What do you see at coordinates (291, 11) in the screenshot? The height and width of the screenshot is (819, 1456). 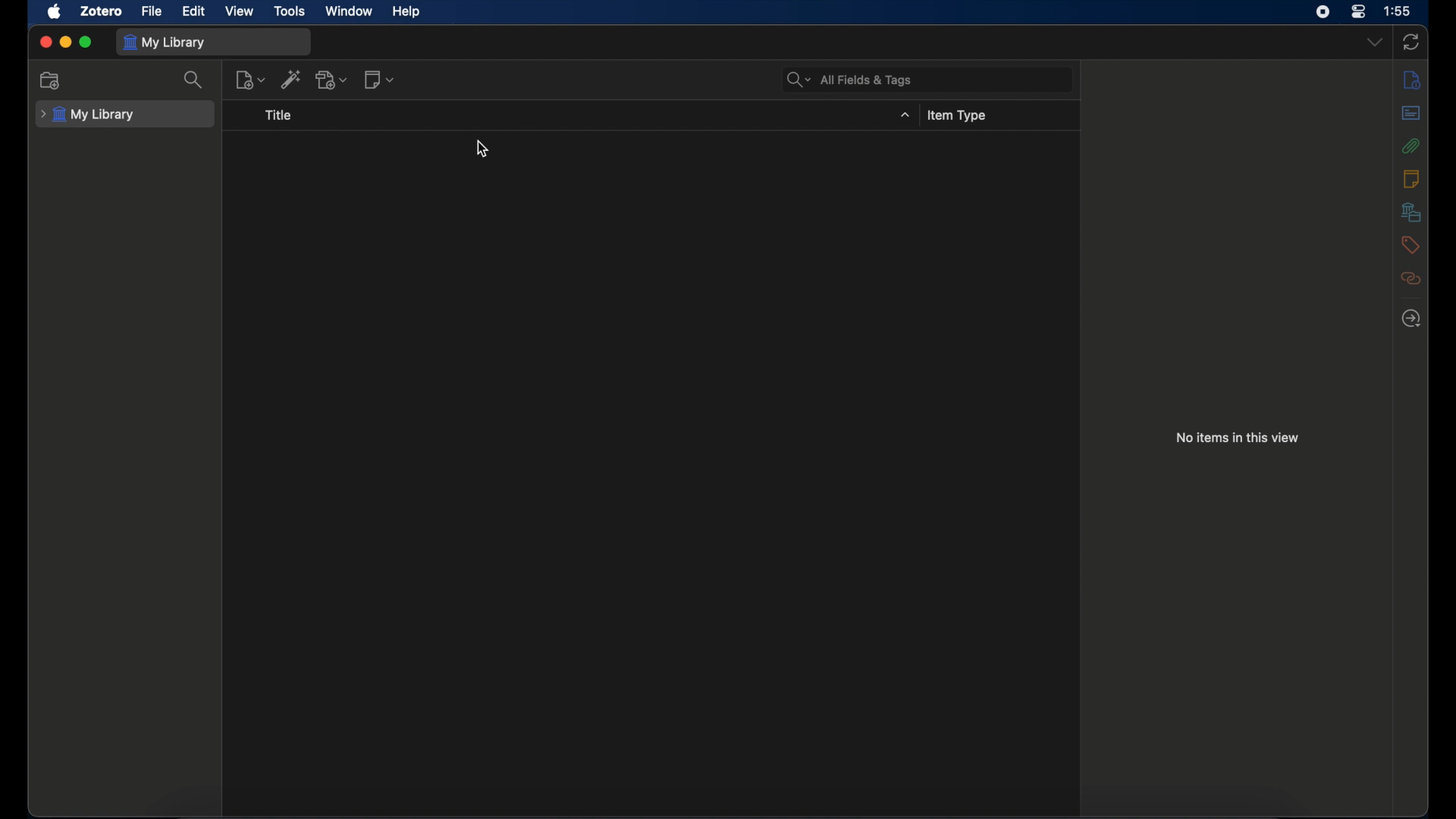 I see `tools` at bounding box center [291, 11].